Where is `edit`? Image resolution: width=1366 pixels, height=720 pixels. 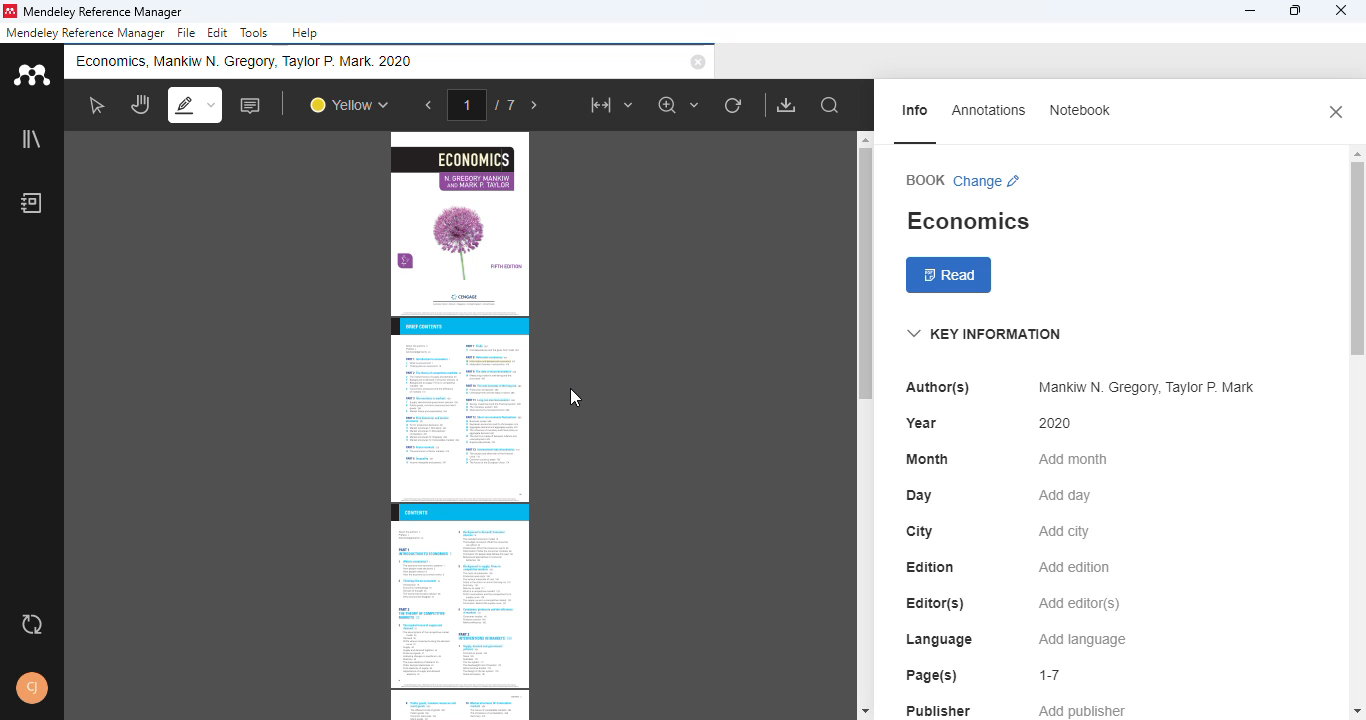
edit is located at coordinates (219, 34).